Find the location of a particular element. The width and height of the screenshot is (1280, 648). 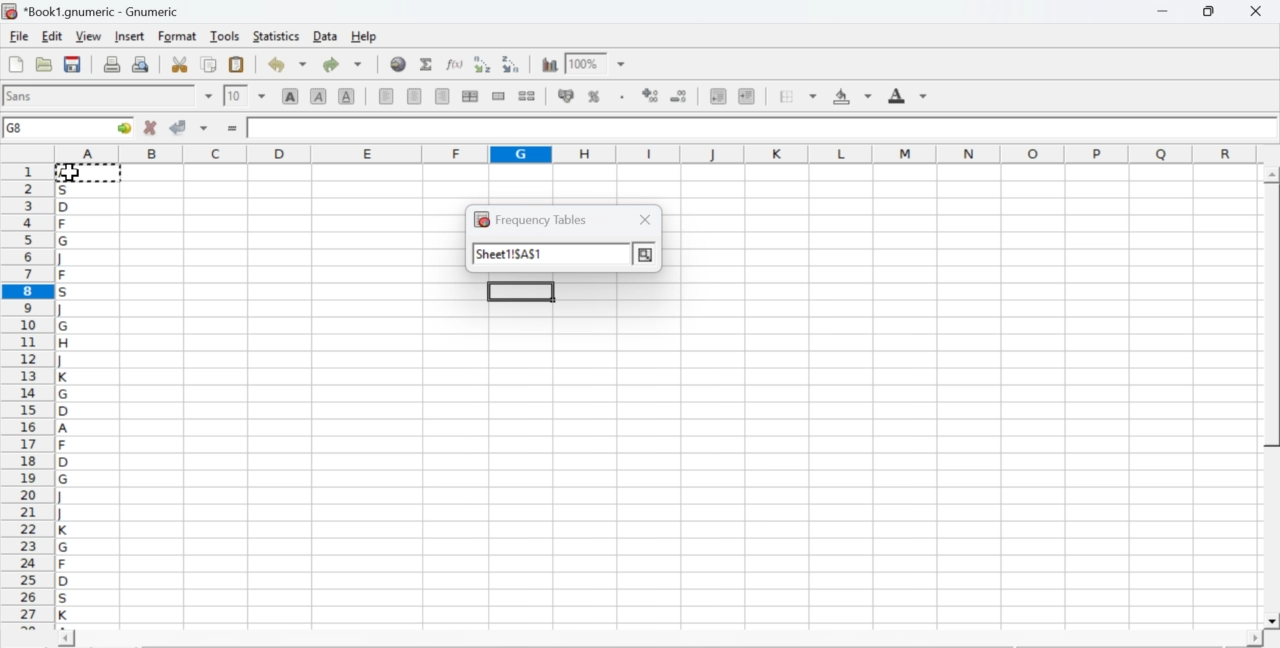

merge a range of cells is located at coordinates (499, 96).